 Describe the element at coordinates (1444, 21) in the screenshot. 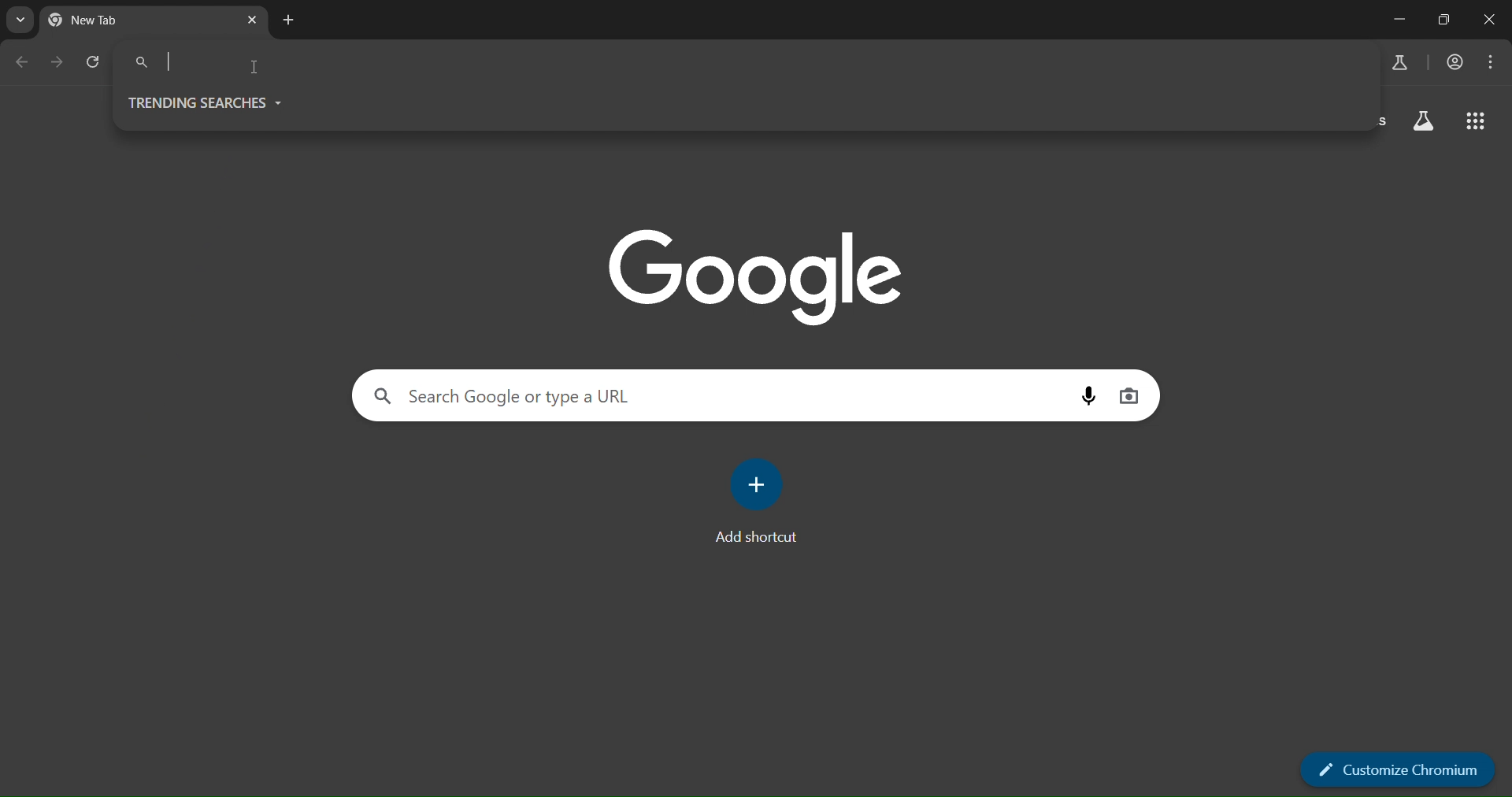

I see `restore down` at that location.